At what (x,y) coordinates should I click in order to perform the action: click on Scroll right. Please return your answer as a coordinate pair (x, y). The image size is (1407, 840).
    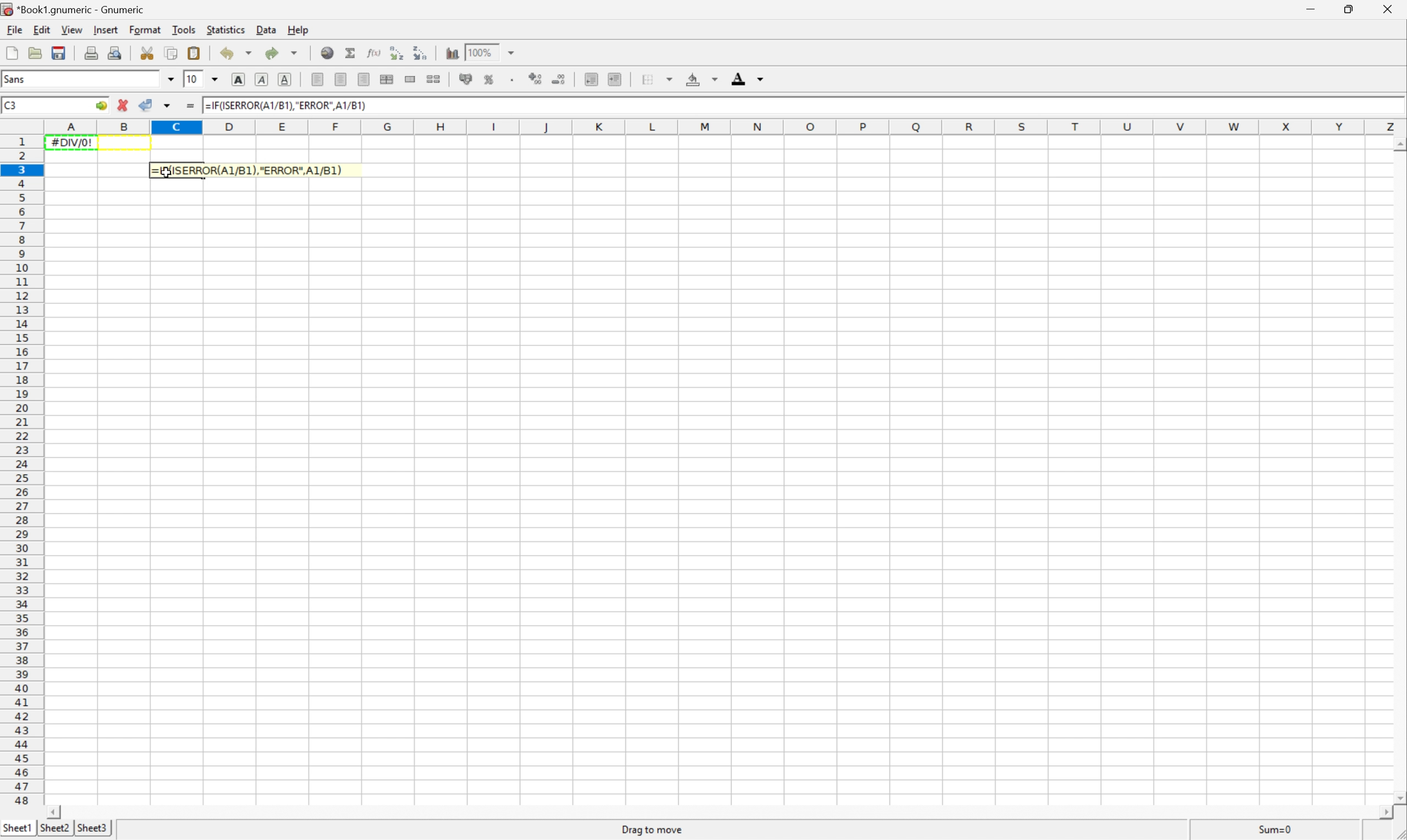
    Looking at the image, I should click on (1375, 813).